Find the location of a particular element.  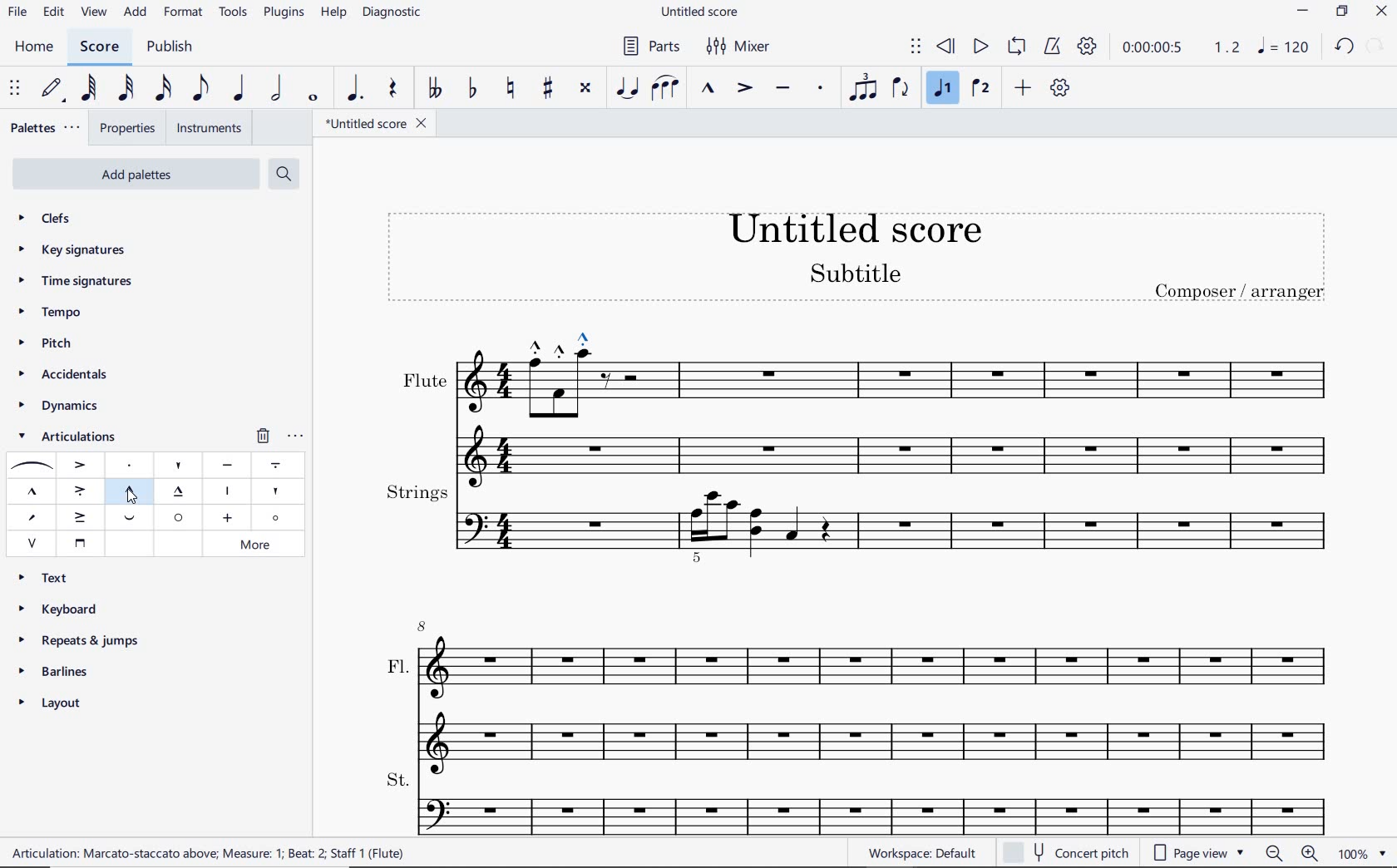

16TH NOTE is located at coordinates (163, 89).